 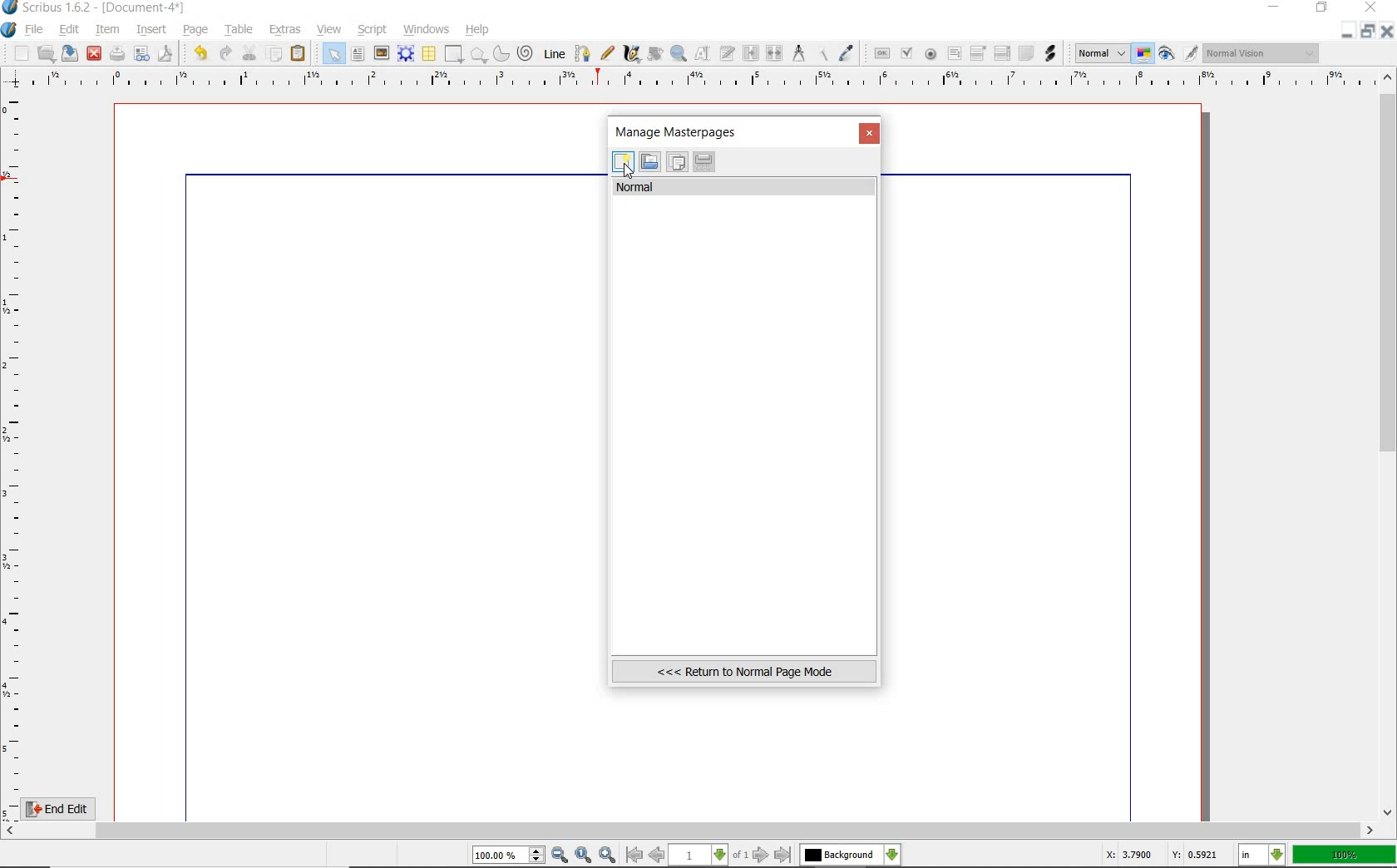 What do you see at coordinates (47, 53) in the screenshot?
I see `open` at bounding box center [47, 53].